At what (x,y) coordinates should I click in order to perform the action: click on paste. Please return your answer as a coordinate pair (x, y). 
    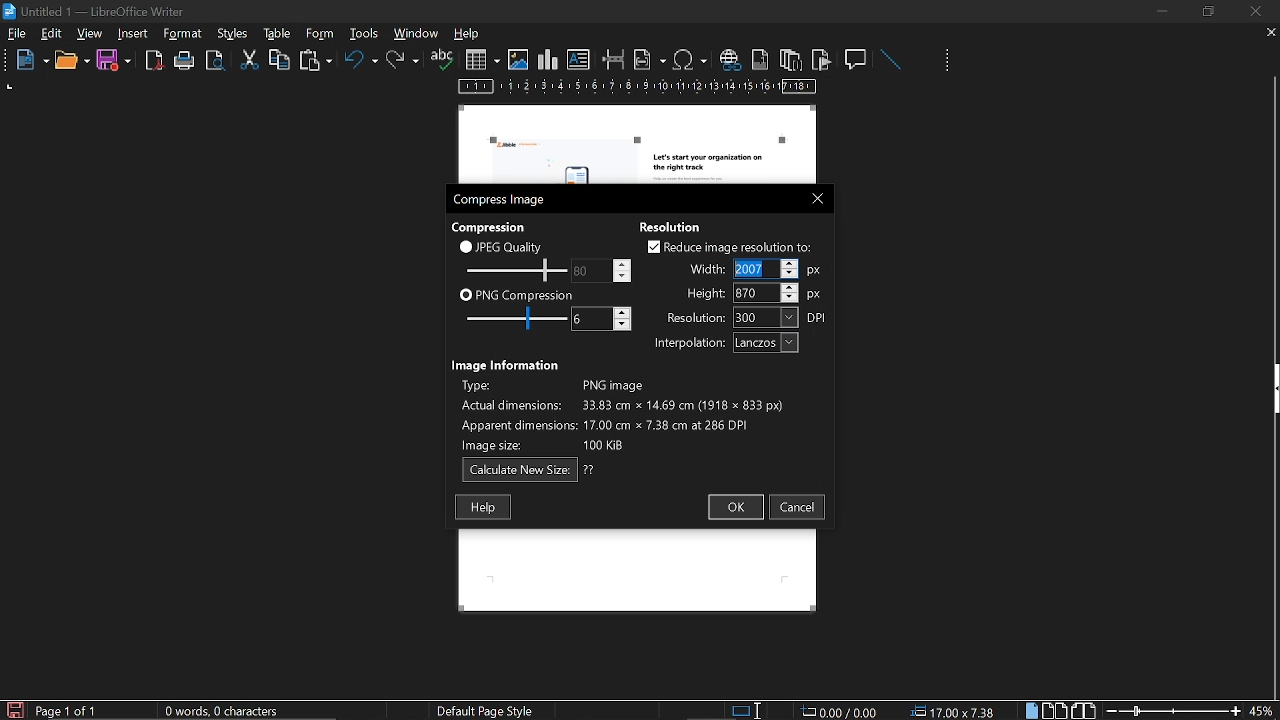
    Looking at the image, I should click on (314, 62).